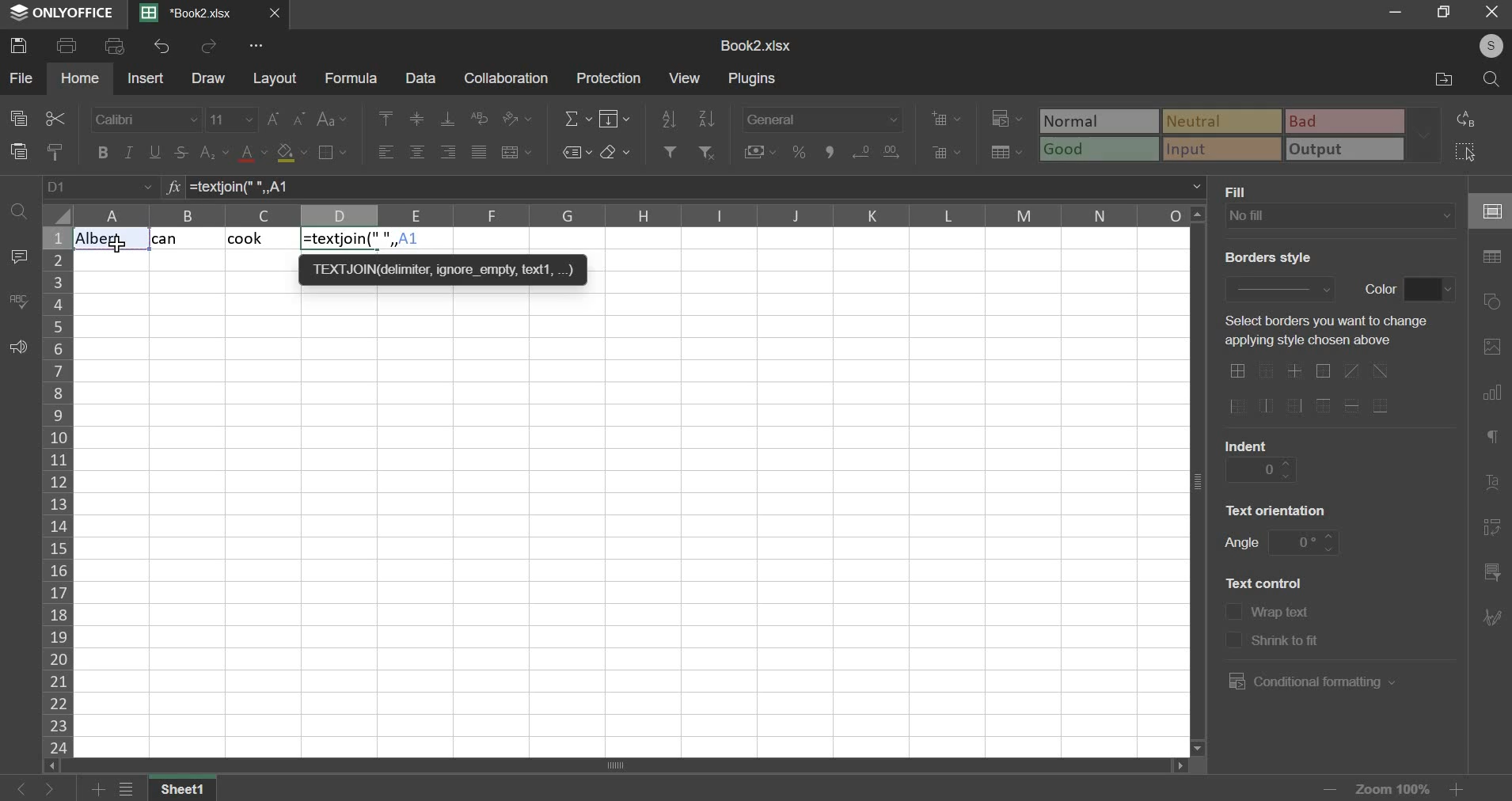 This screenshot has height=801, width=1512. Describe the element at coordinates (1380, 287) in the screenshot. I see `text` at that location.